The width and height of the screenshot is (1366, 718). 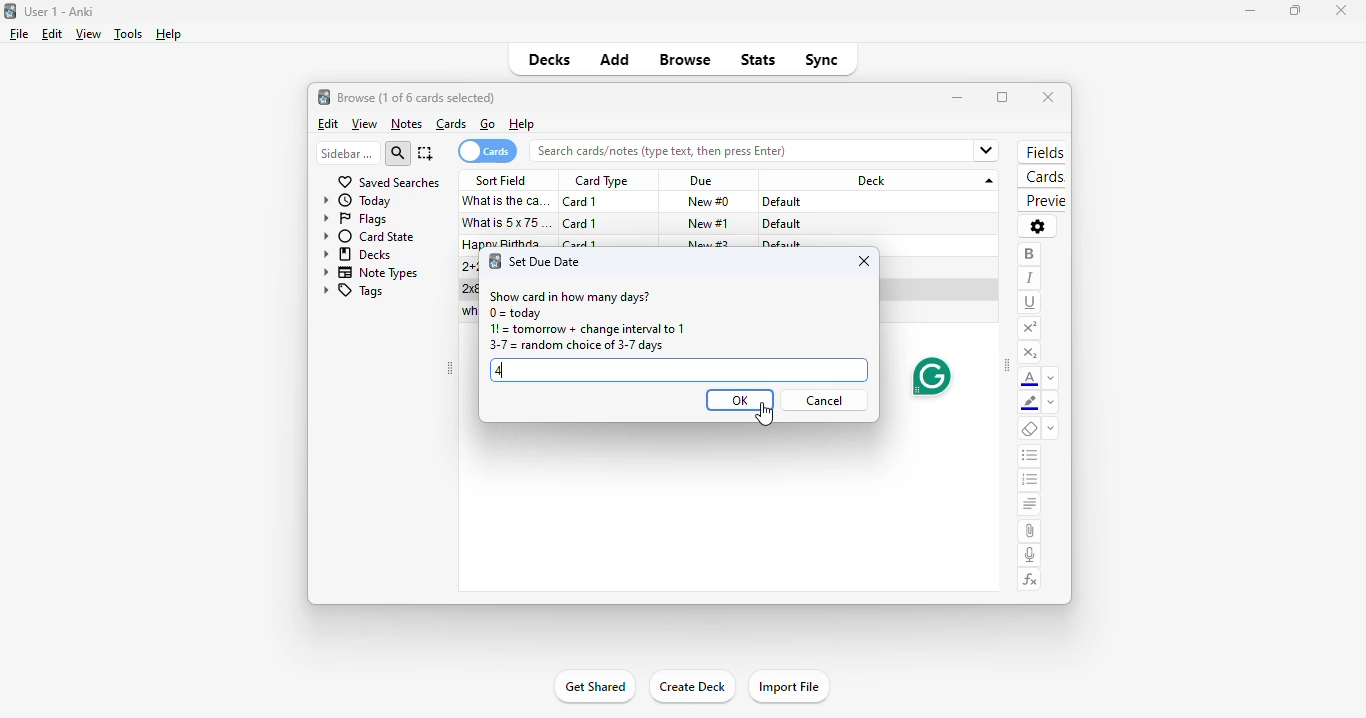 I want to click on browse (1 of 6 cards selected), so click(x=417, y=97).